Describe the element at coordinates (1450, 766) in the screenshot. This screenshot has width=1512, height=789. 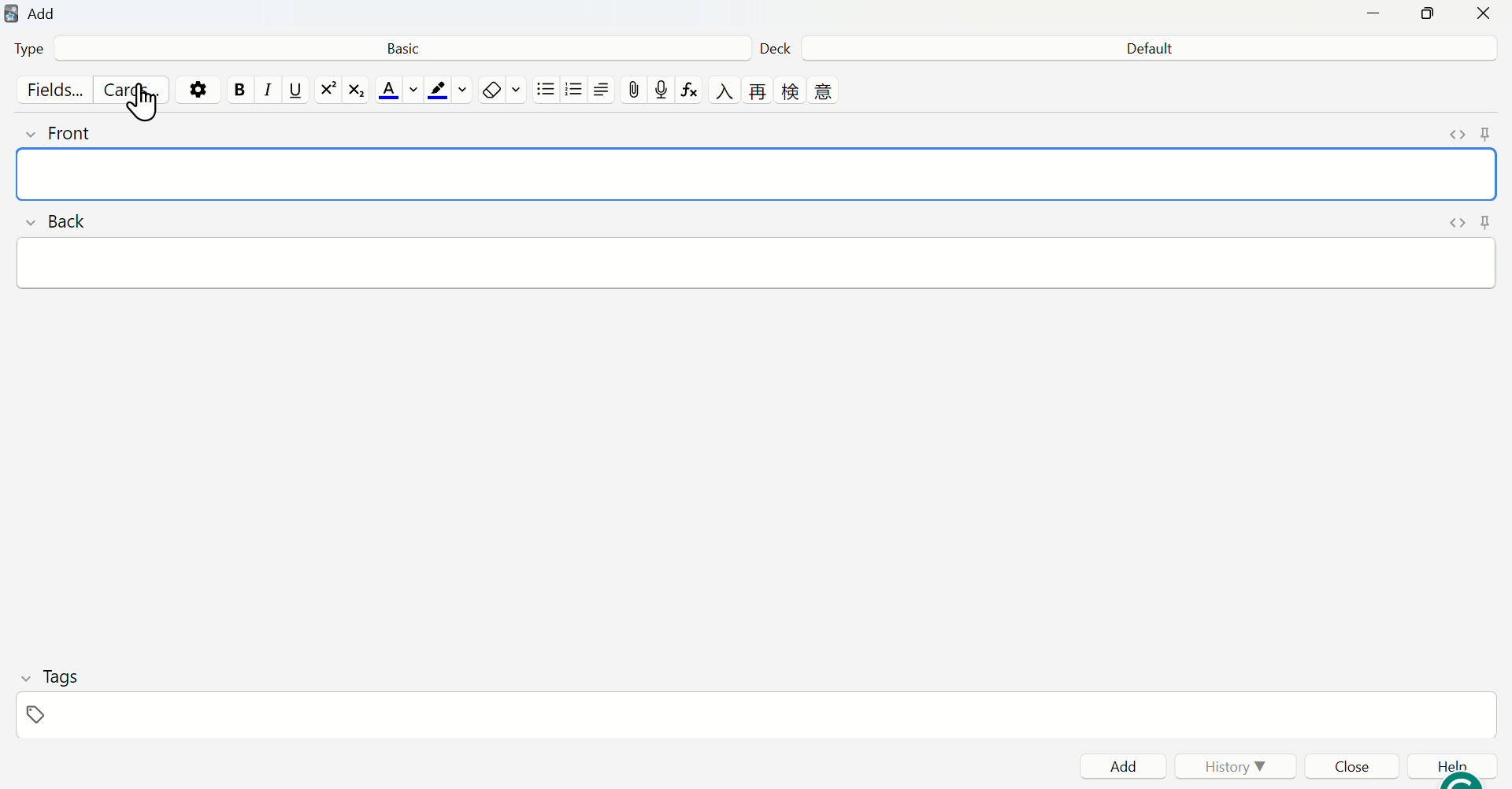
I see `Help` at that location.